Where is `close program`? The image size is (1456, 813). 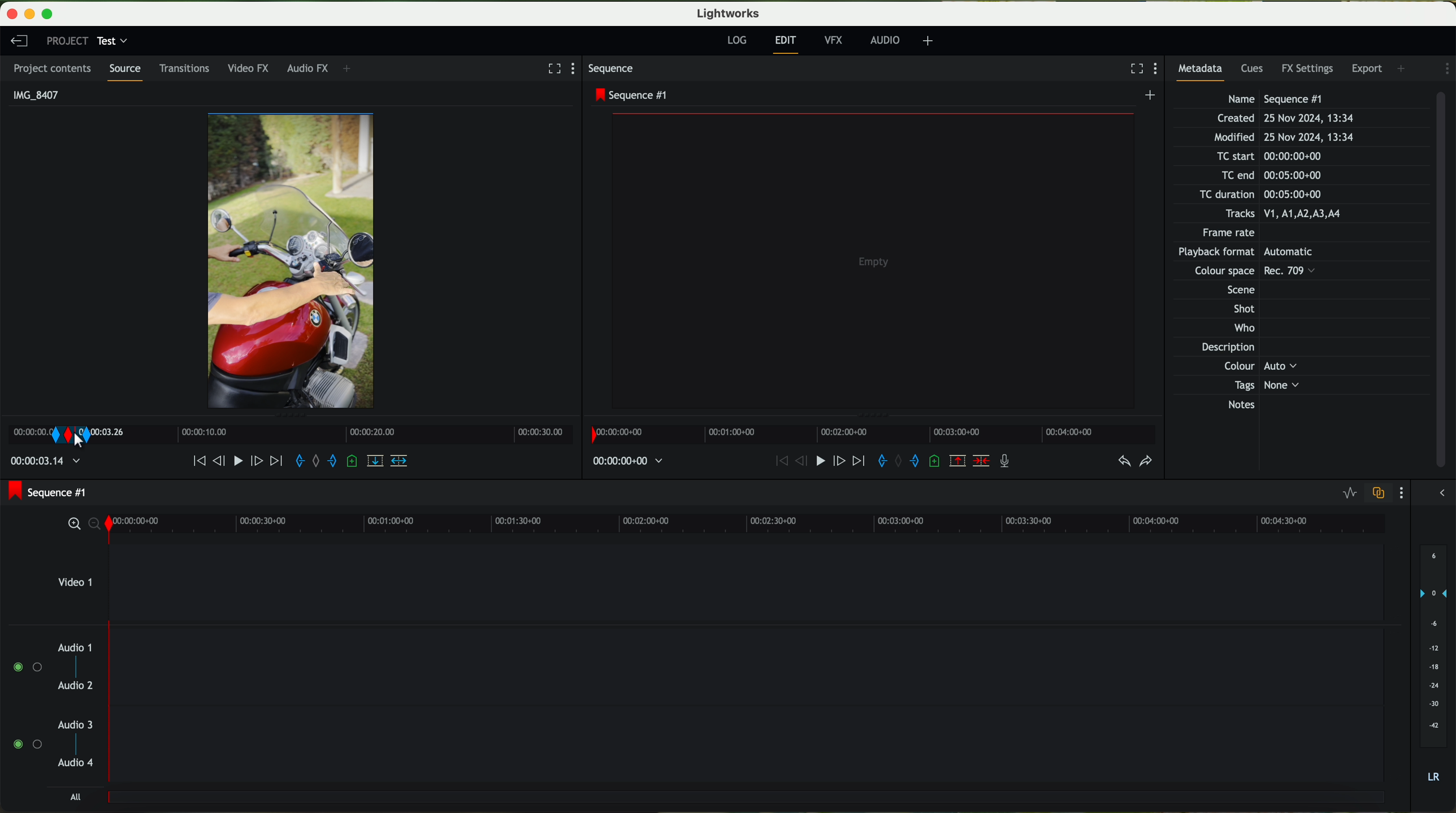
close program is located at coordinates (10, 14).